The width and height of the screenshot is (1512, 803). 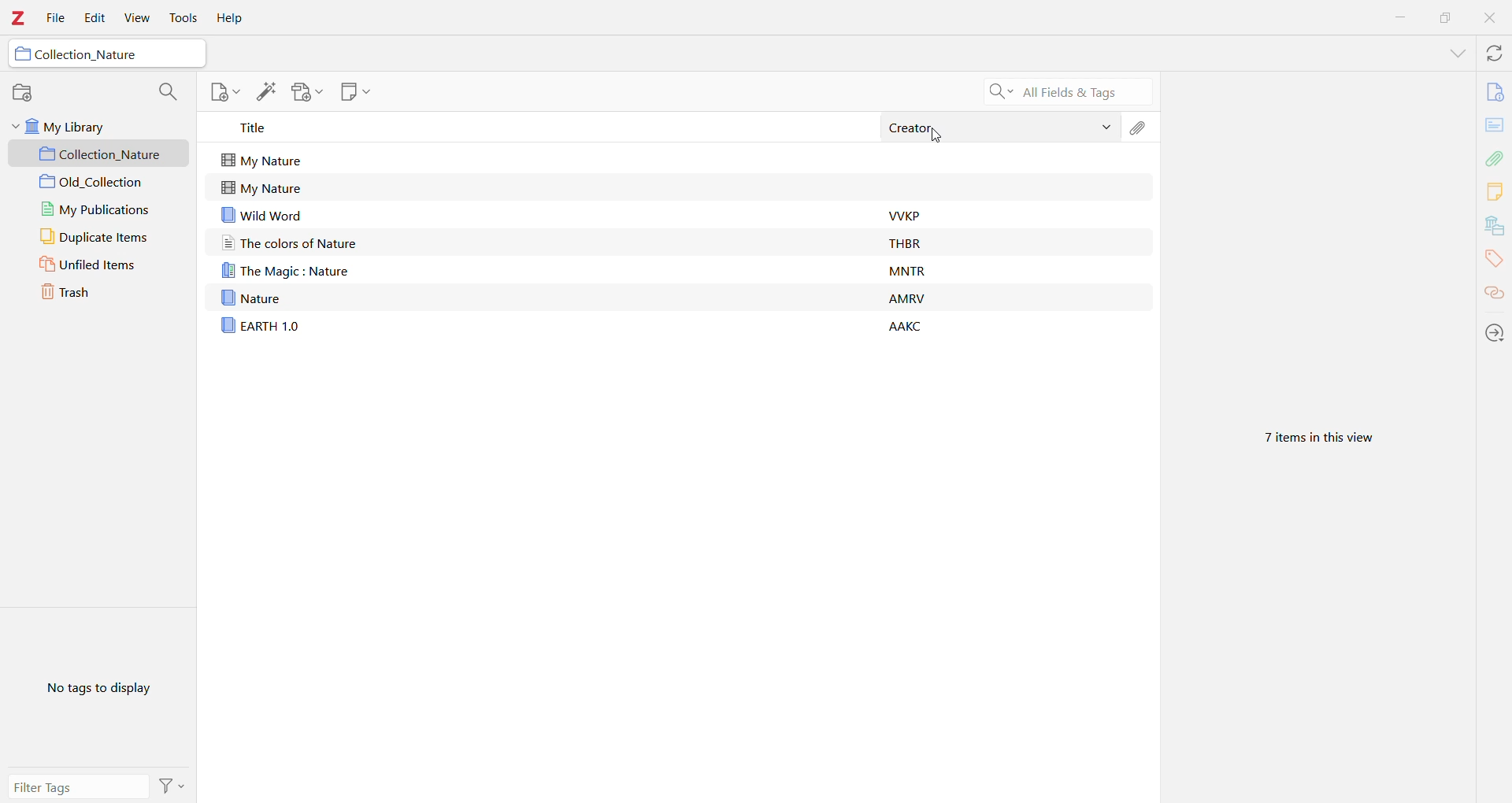 I want to click on Actions, so click(x=174, y=787).